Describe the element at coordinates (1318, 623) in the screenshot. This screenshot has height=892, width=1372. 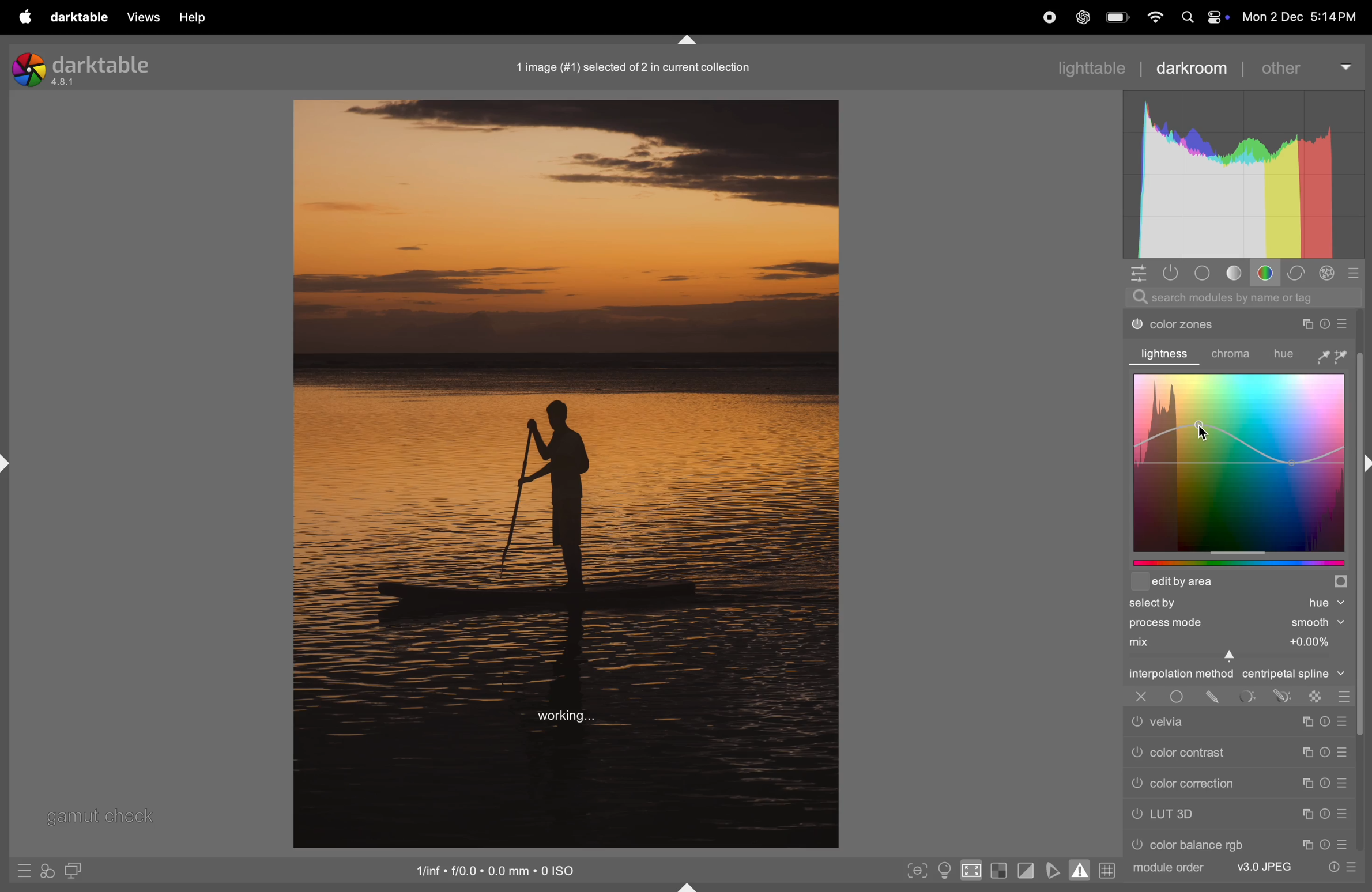
I see `Smooth` at that location.